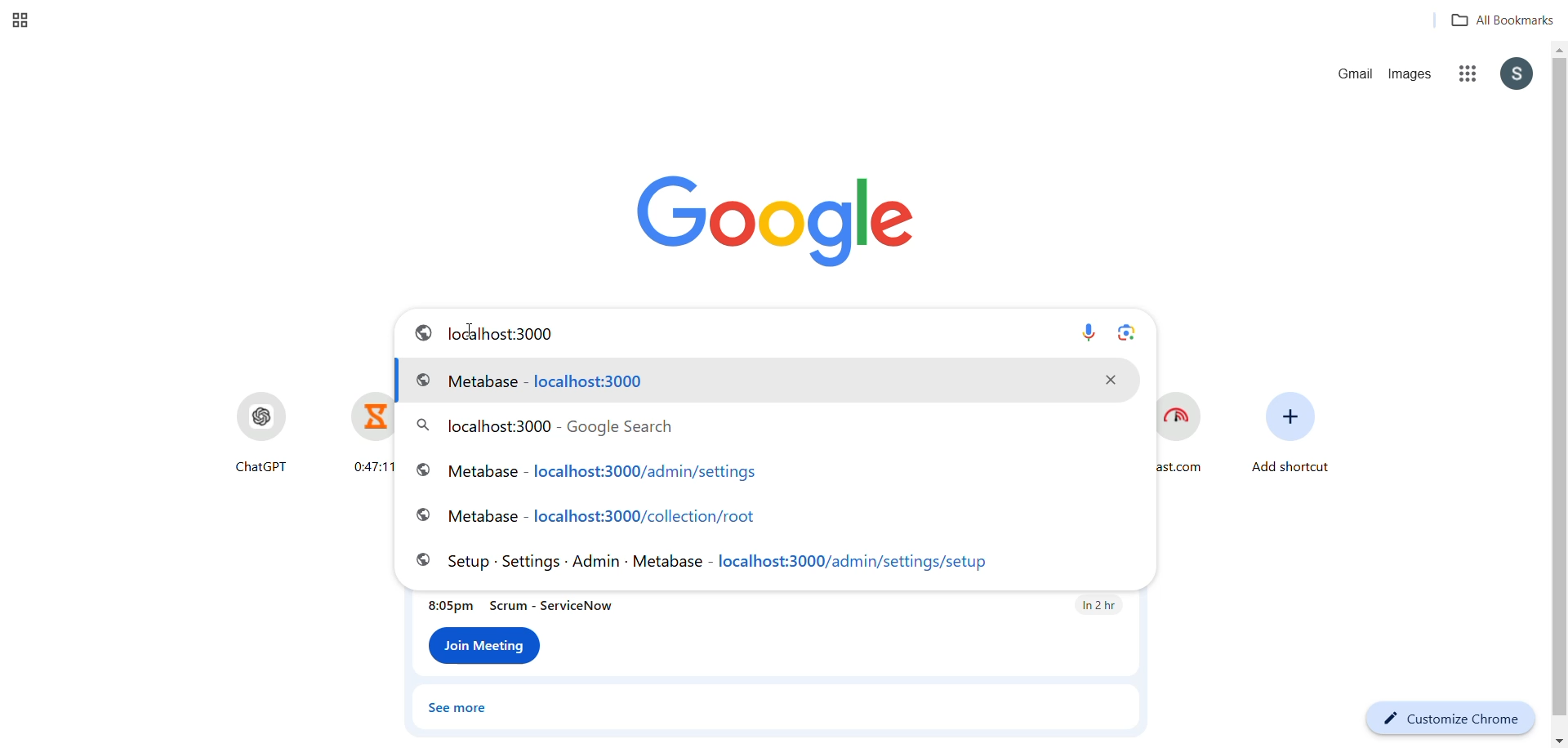 This screenshot has height=748, width=1568. I want to click on google id options, so click(1517, 75).